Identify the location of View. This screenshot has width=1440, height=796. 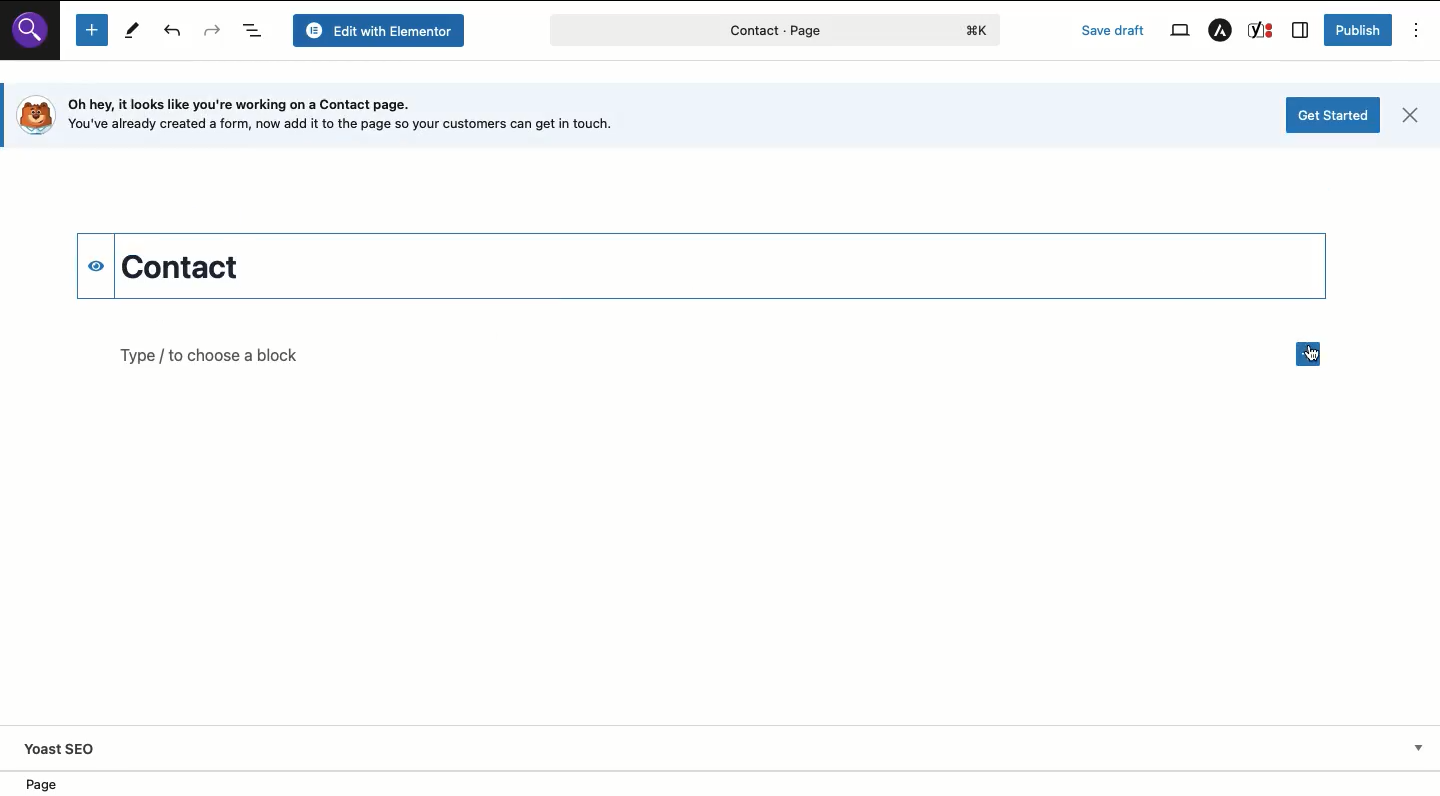
(1178, 29).